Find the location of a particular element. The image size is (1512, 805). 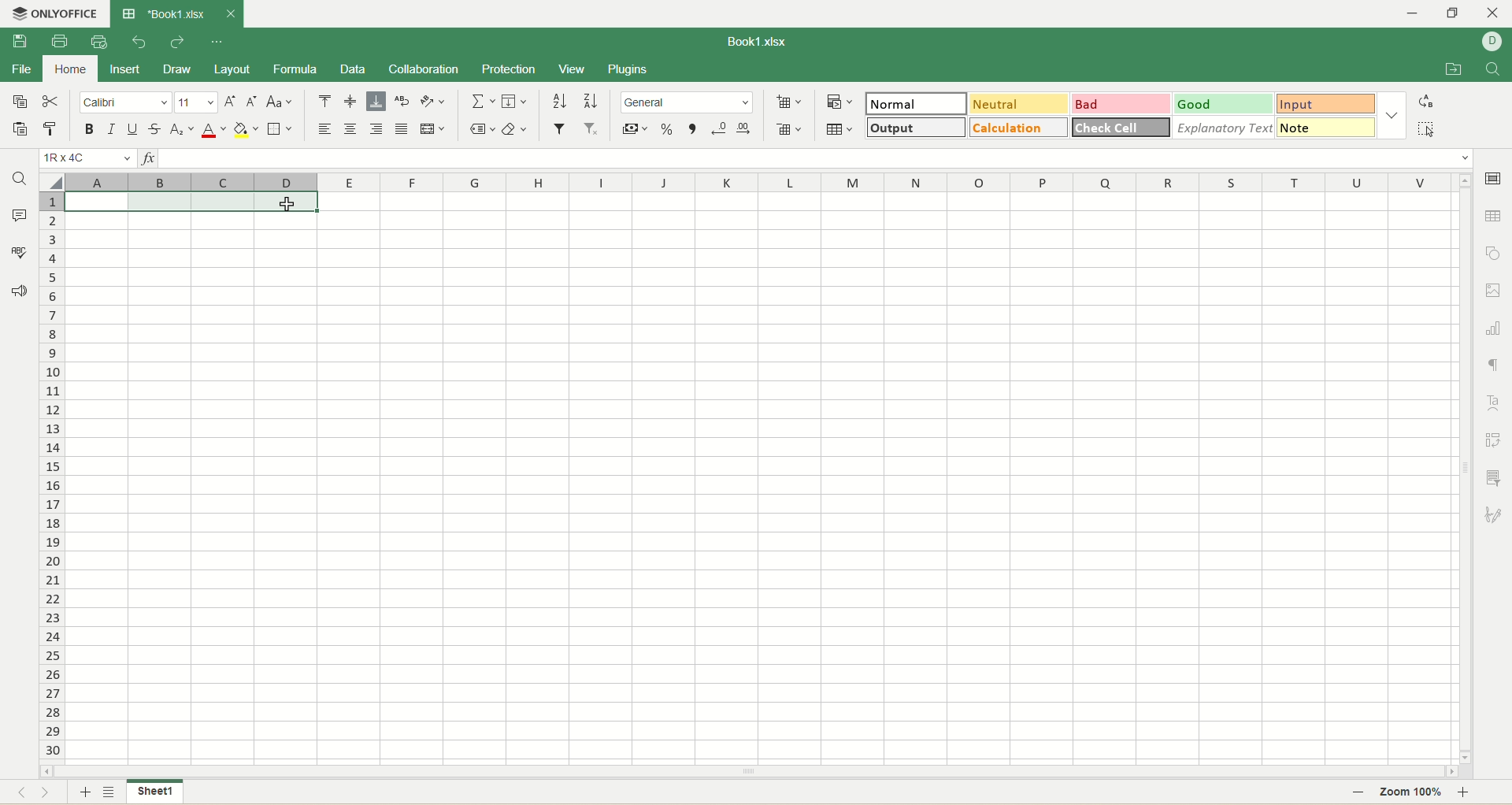

currency format is located at coordinates (636, 127).